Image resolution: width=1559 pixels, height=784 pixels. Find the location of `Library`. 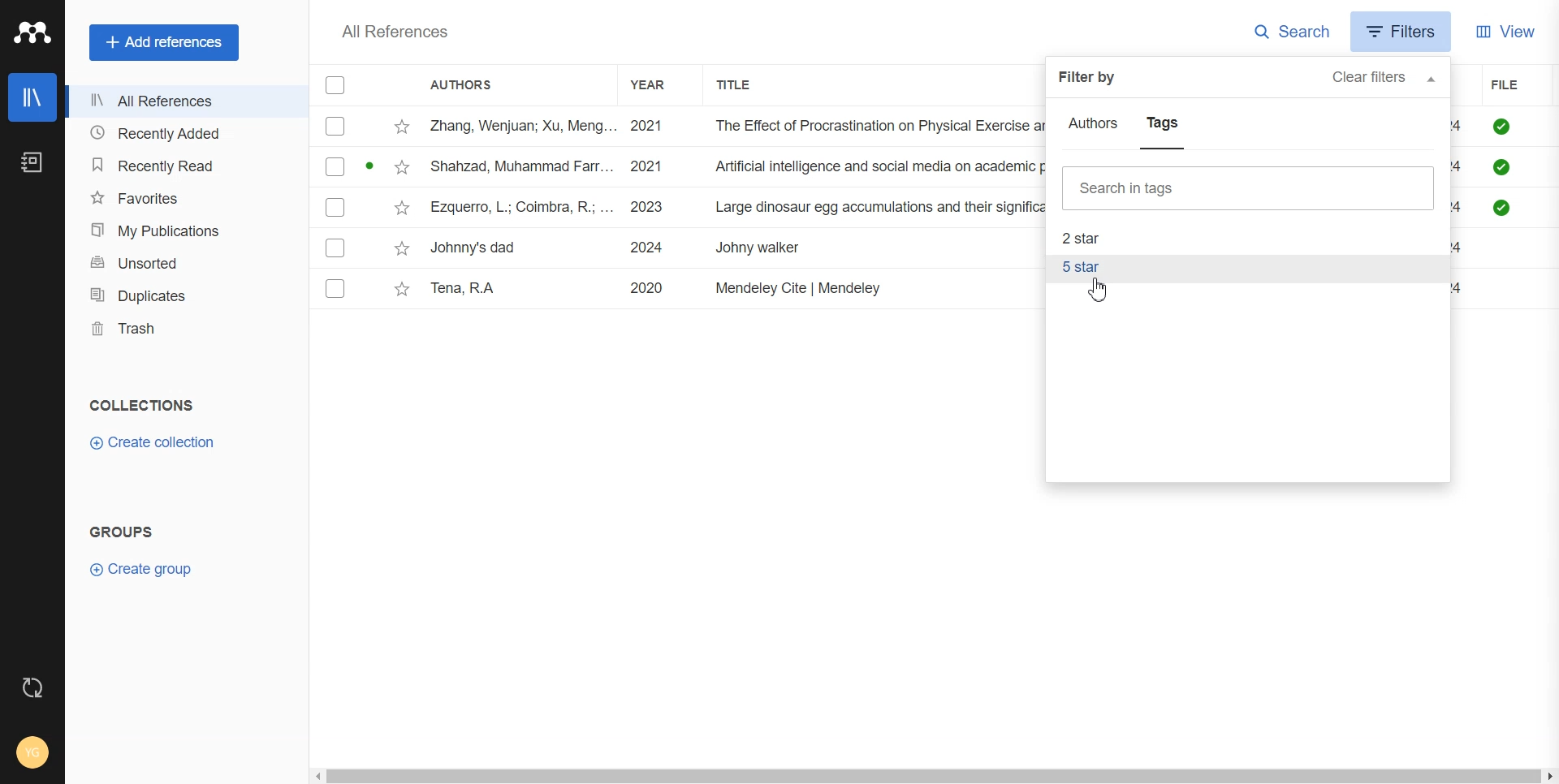

Library is located at coordinates (33, 97).